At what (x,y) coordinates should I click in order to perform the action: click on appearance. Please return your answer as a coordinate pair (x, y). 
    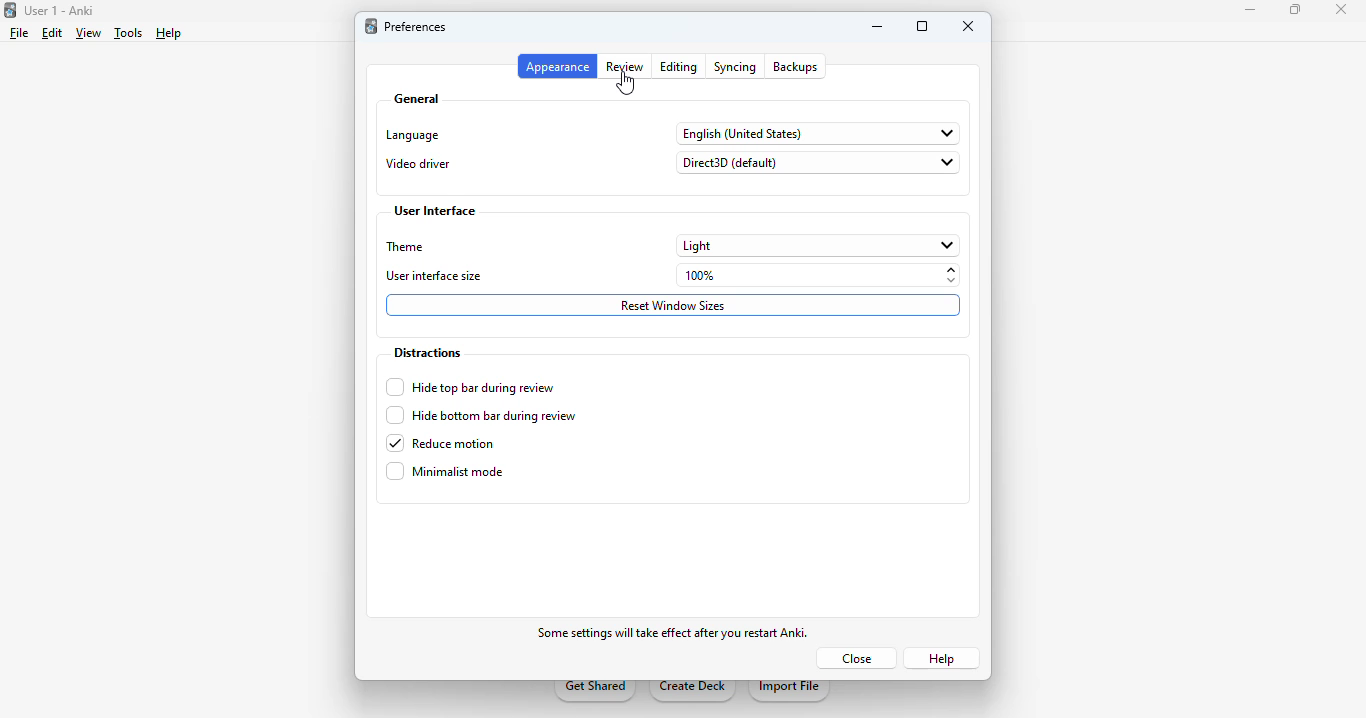
    Looking at the image, I should click on (557, 66).